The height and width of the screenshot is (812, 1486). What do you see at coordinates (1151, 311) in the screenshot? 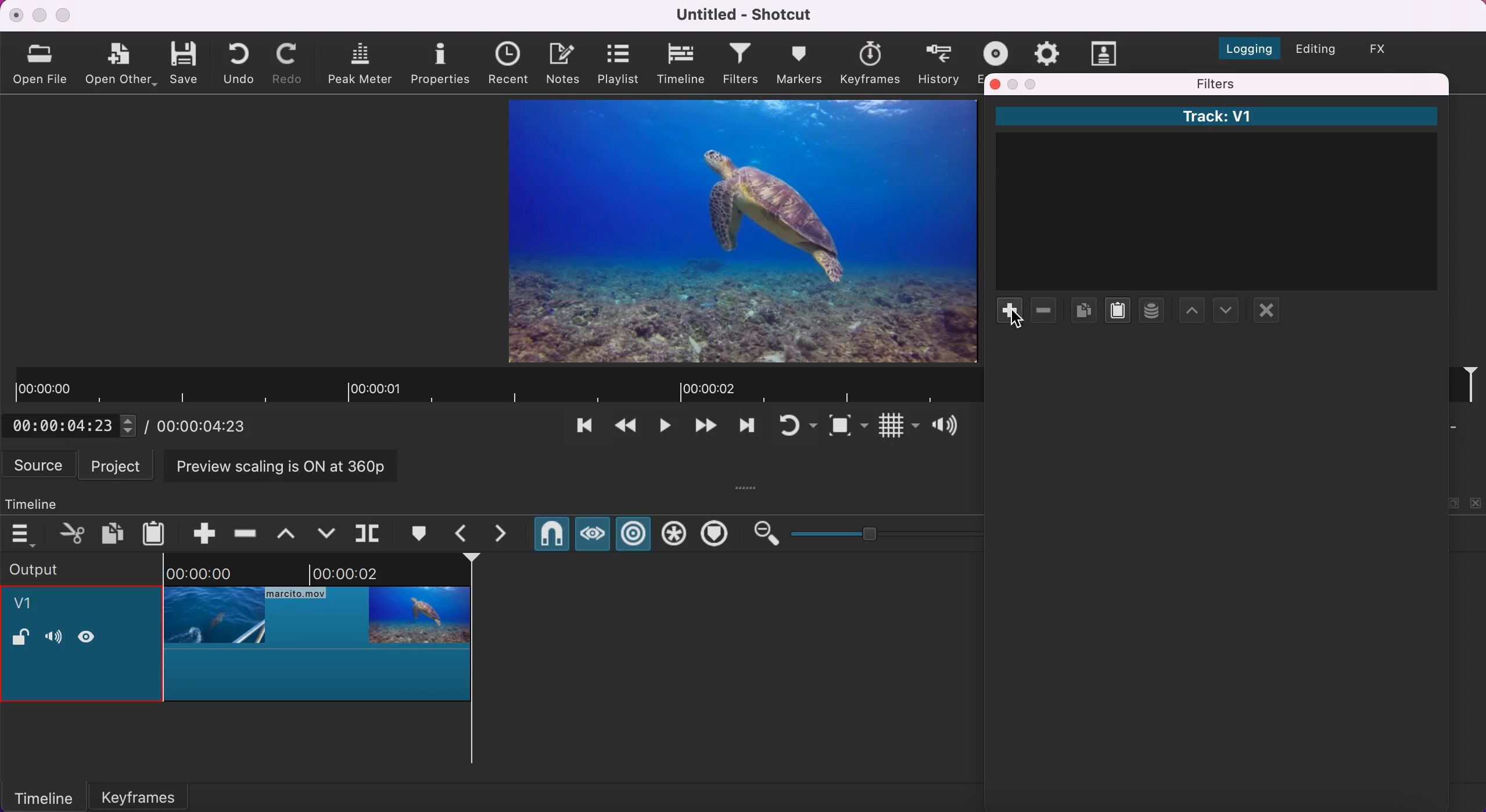
I see `select filter set` at bounding box center [1151, 311].